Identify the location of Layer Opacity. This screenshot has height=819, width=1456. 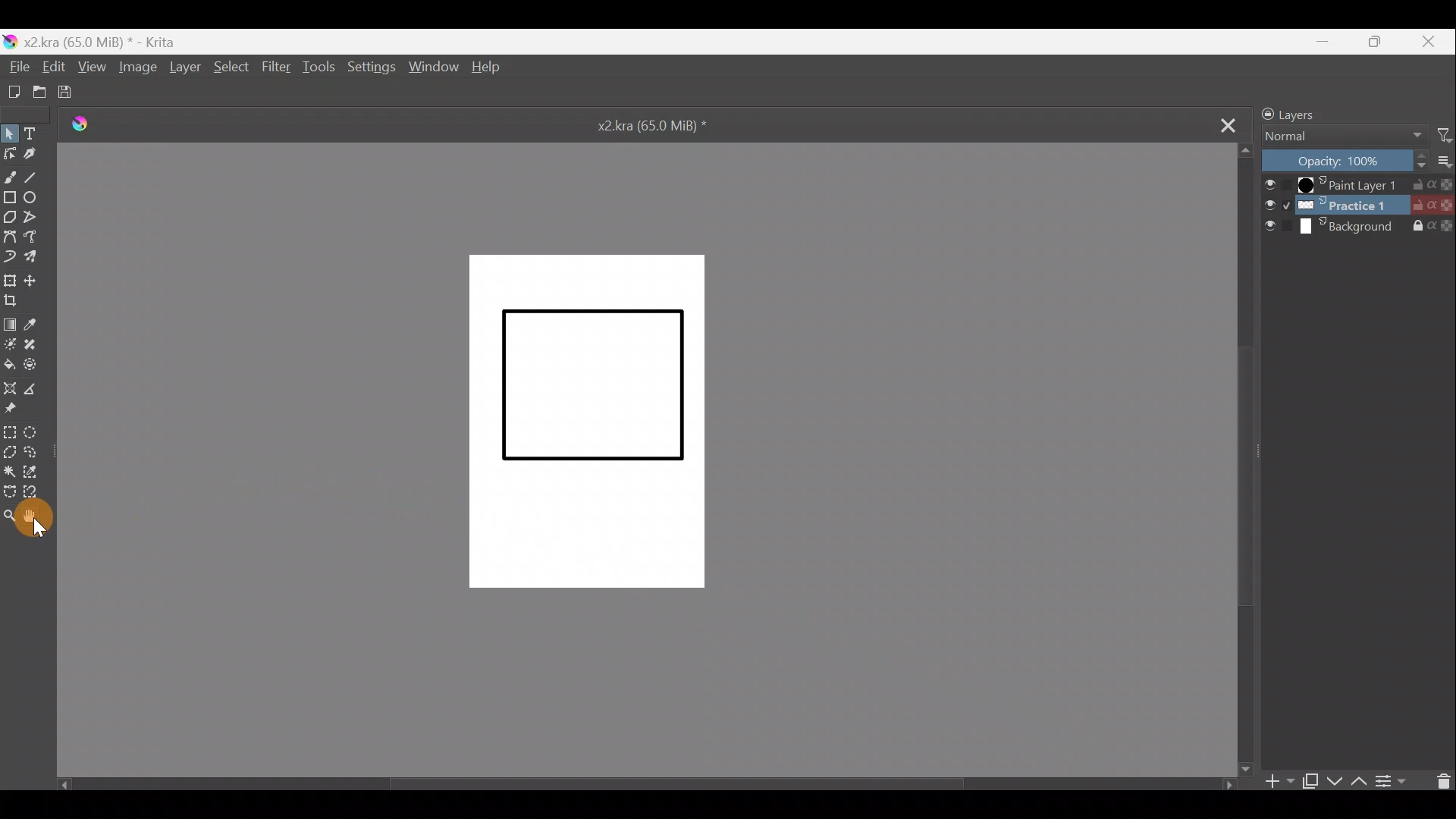
(1343, 163).